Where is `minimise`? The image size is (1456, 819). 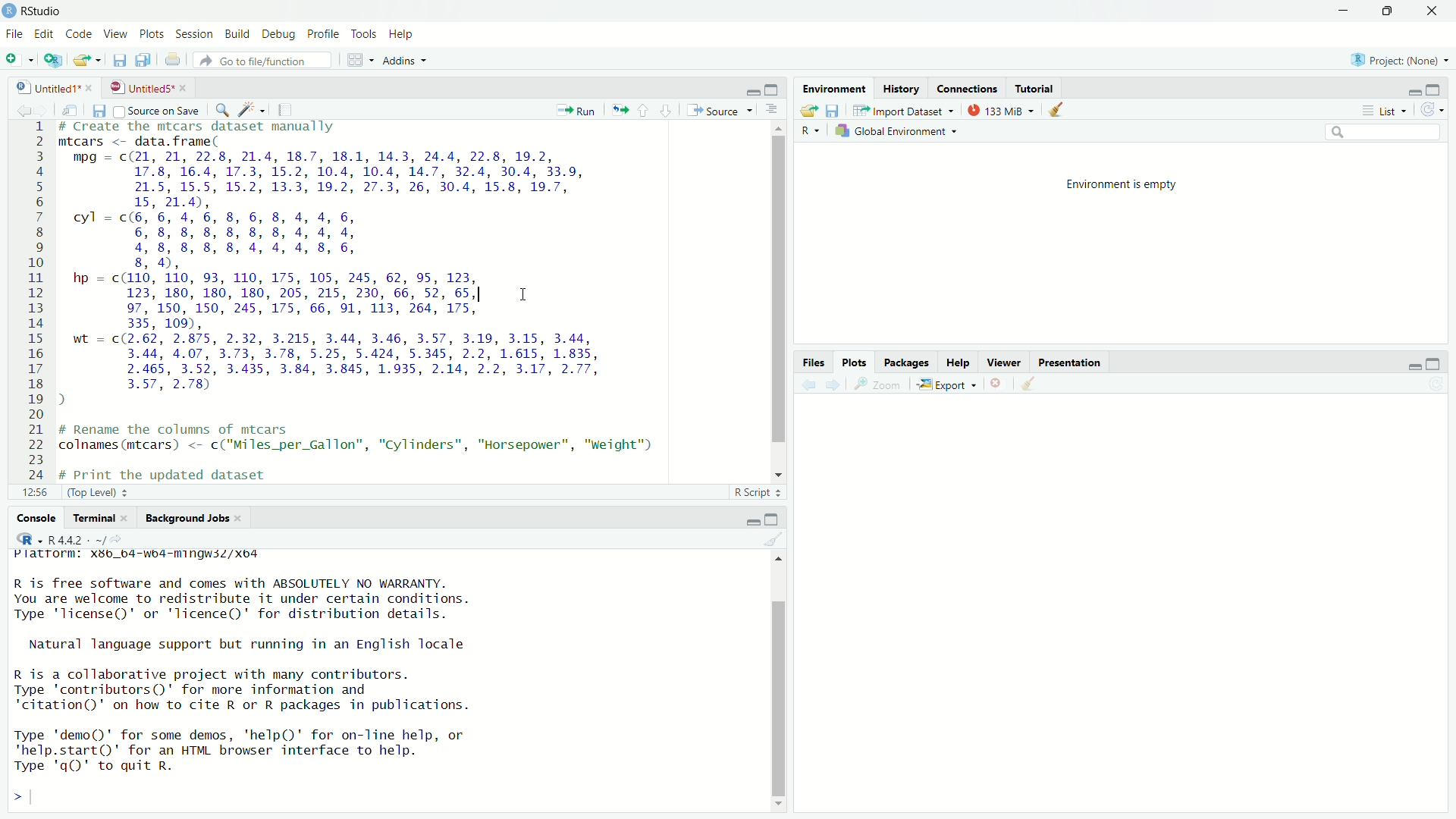 minimise is located at coordinates (1342, 13).